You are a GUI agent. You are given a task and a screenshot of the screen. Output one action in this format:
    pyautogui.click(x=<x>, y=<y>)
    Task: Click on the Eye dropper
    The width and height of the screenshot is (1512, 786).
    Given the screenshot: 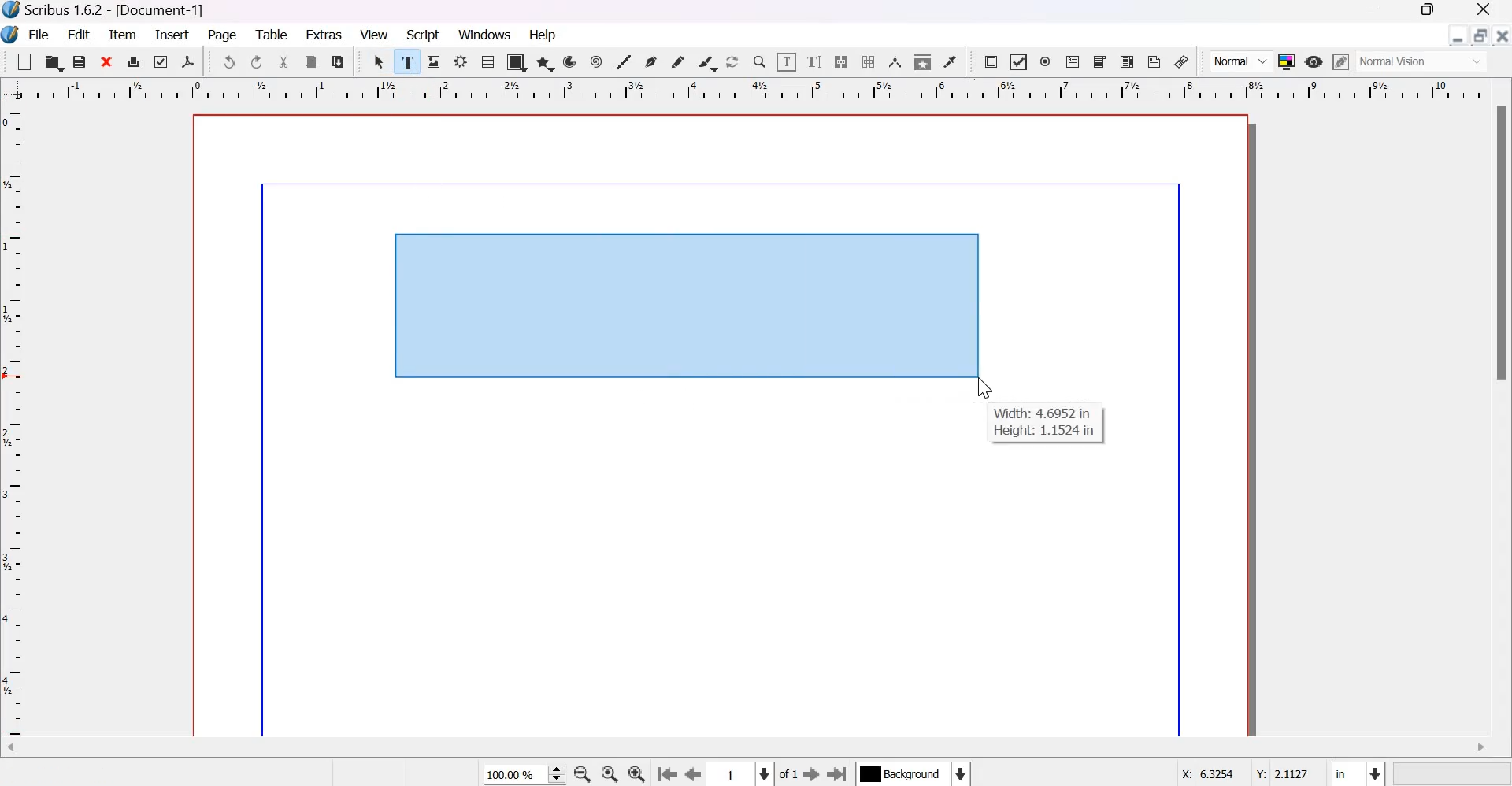 What is the action you would take?
    pyautogui.click(x=950, y=61)
    